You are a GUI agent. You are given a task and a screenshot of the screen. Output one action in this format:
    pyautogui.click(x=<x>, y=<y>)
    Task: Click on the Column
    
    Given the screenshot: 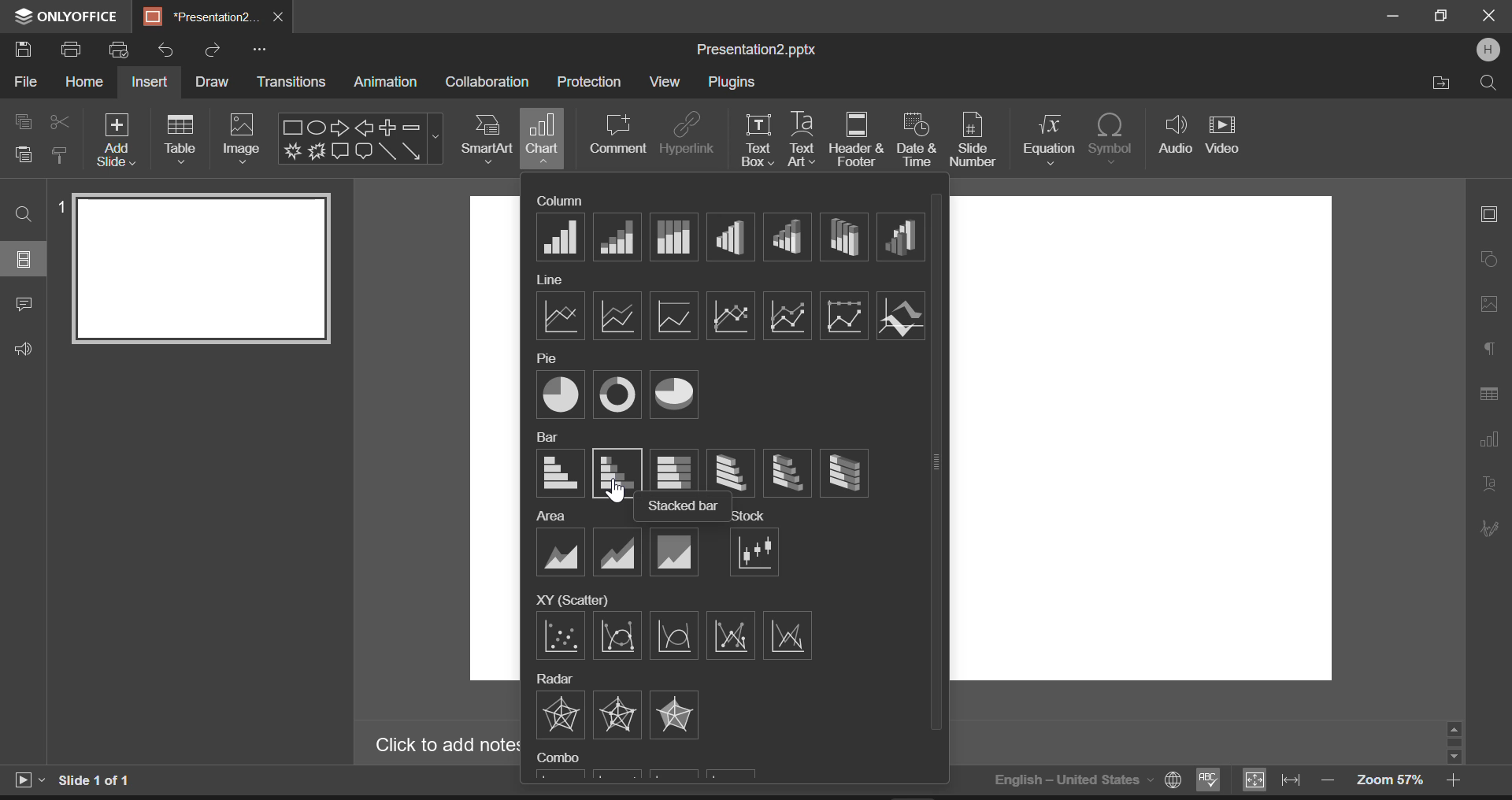 What is the action you would take?
    pyautogui.click(x=559, y=200)
    